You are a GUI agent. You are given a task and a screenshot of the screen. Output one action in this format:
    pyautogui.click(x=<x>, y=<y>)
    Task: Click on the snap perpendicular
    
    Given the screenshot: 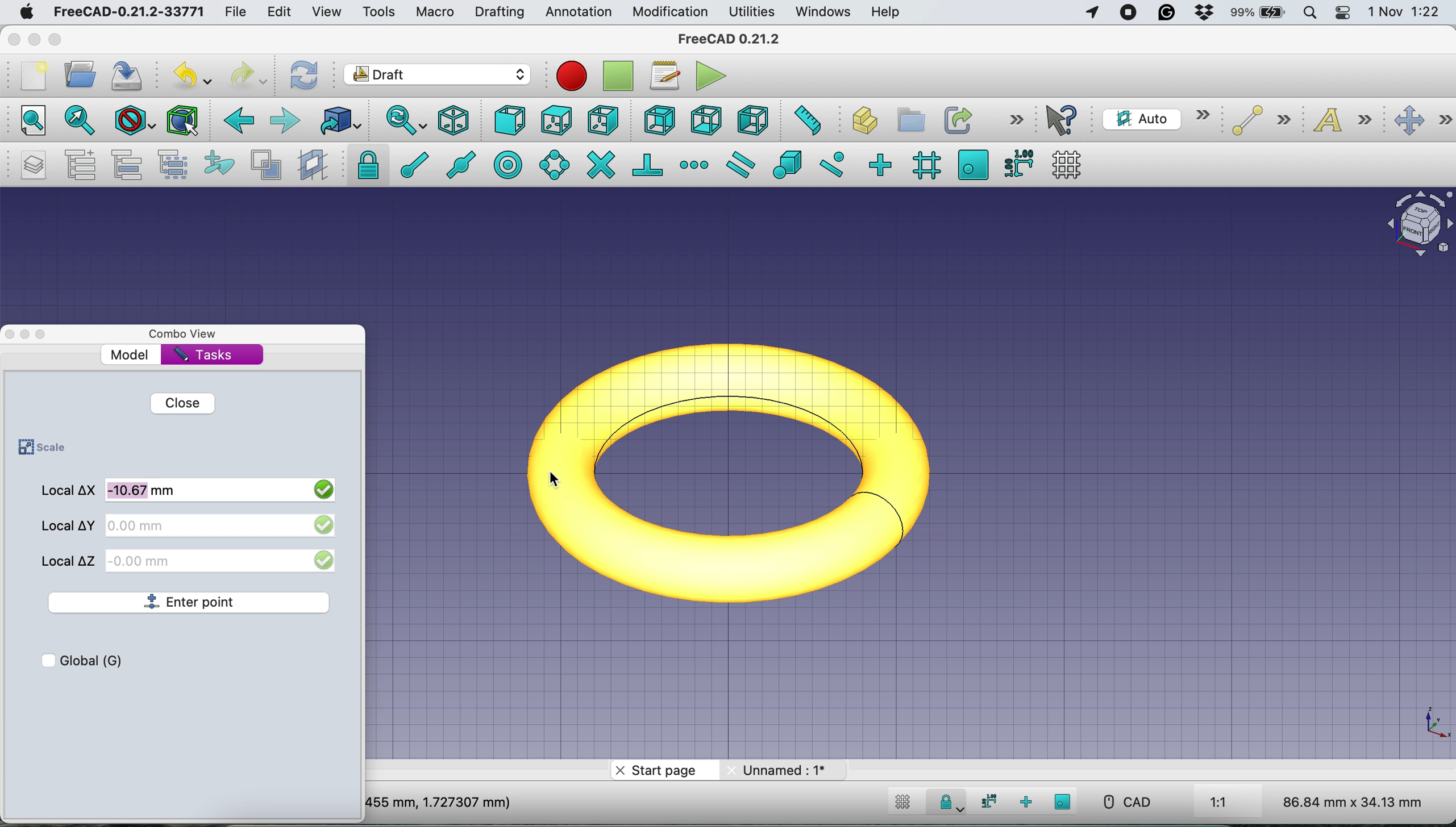 What is the action you would take?
    pyautogui.click(x=648, y=164)
    